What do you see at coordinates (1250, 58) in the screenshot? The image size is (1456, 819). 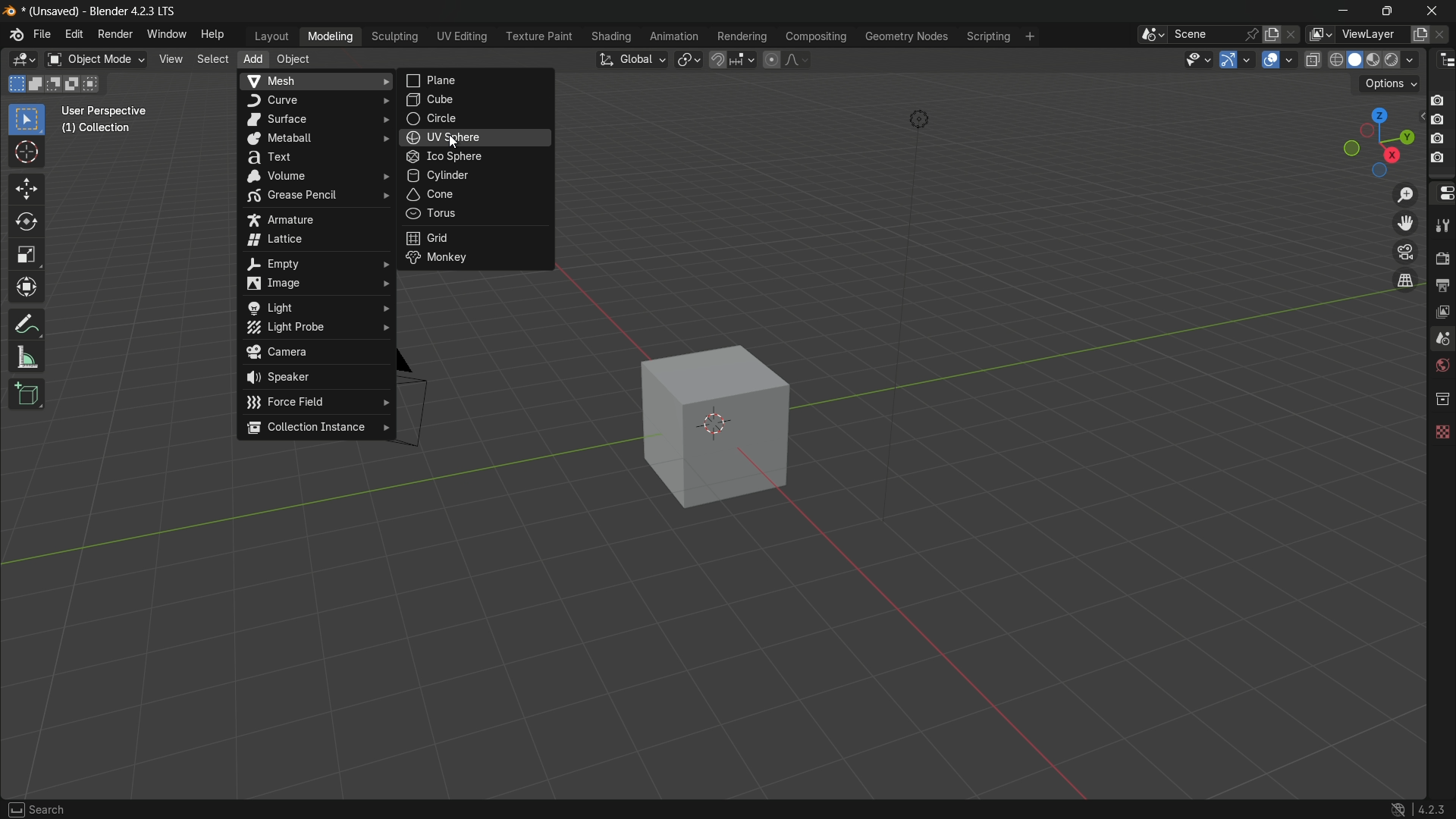 I see `gizmos` at bounding box center [1250, 58].